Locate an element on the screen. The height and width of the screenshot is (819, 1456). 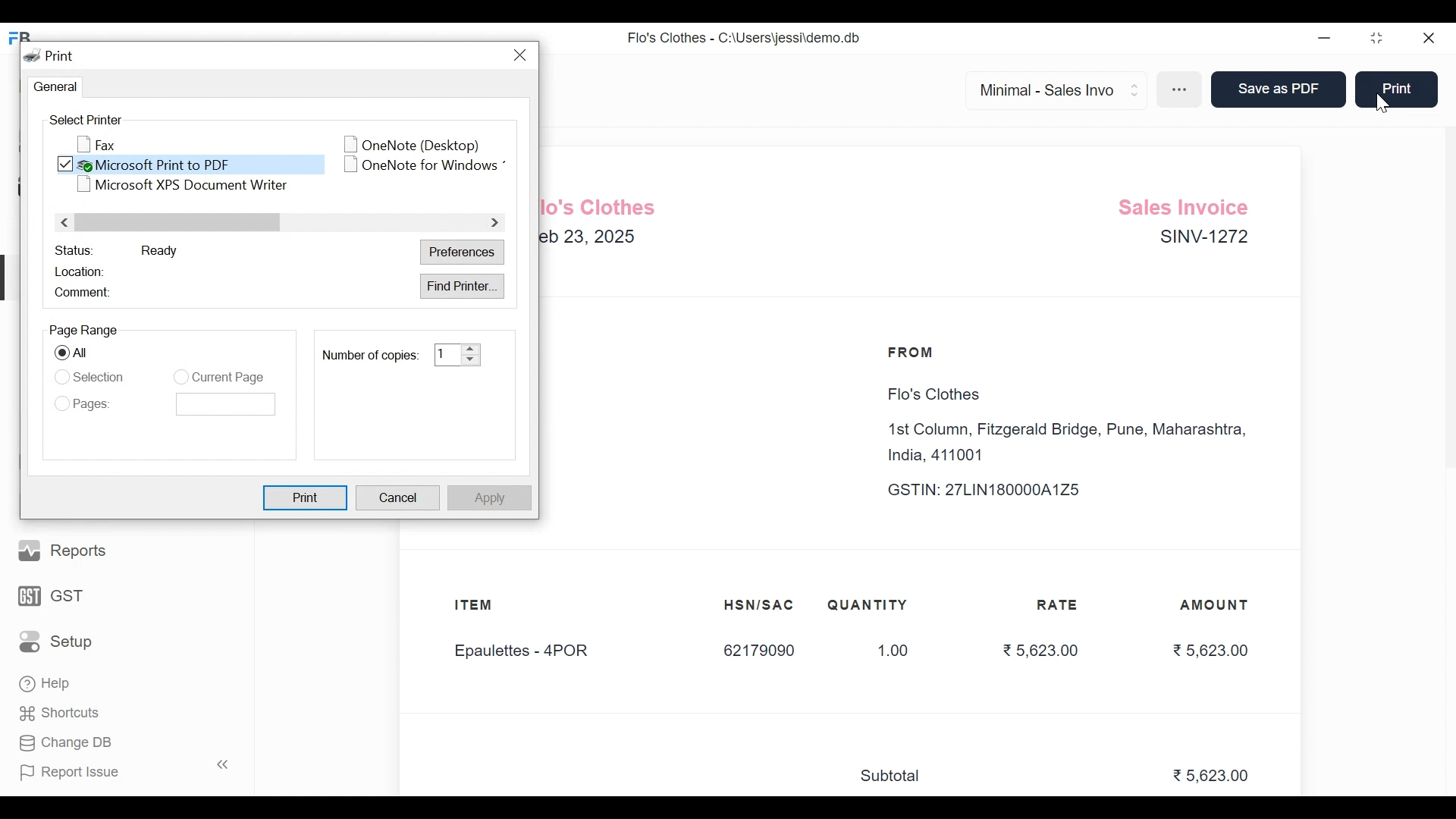
1.00 is located at coordinates (885, 651).